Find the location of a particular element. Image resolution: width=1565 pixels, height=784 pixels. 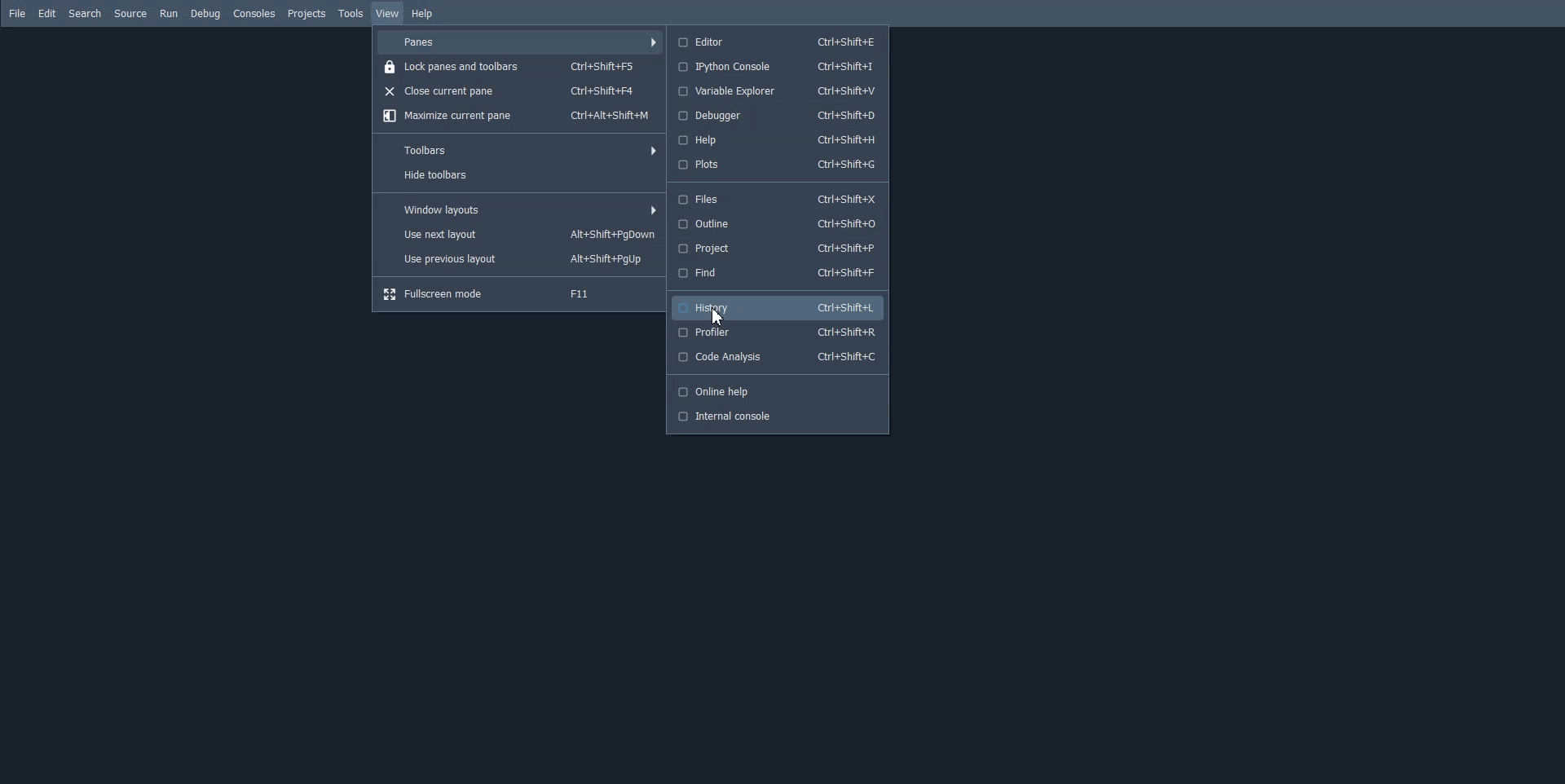

Debugger is located at coordinates (776, 116).